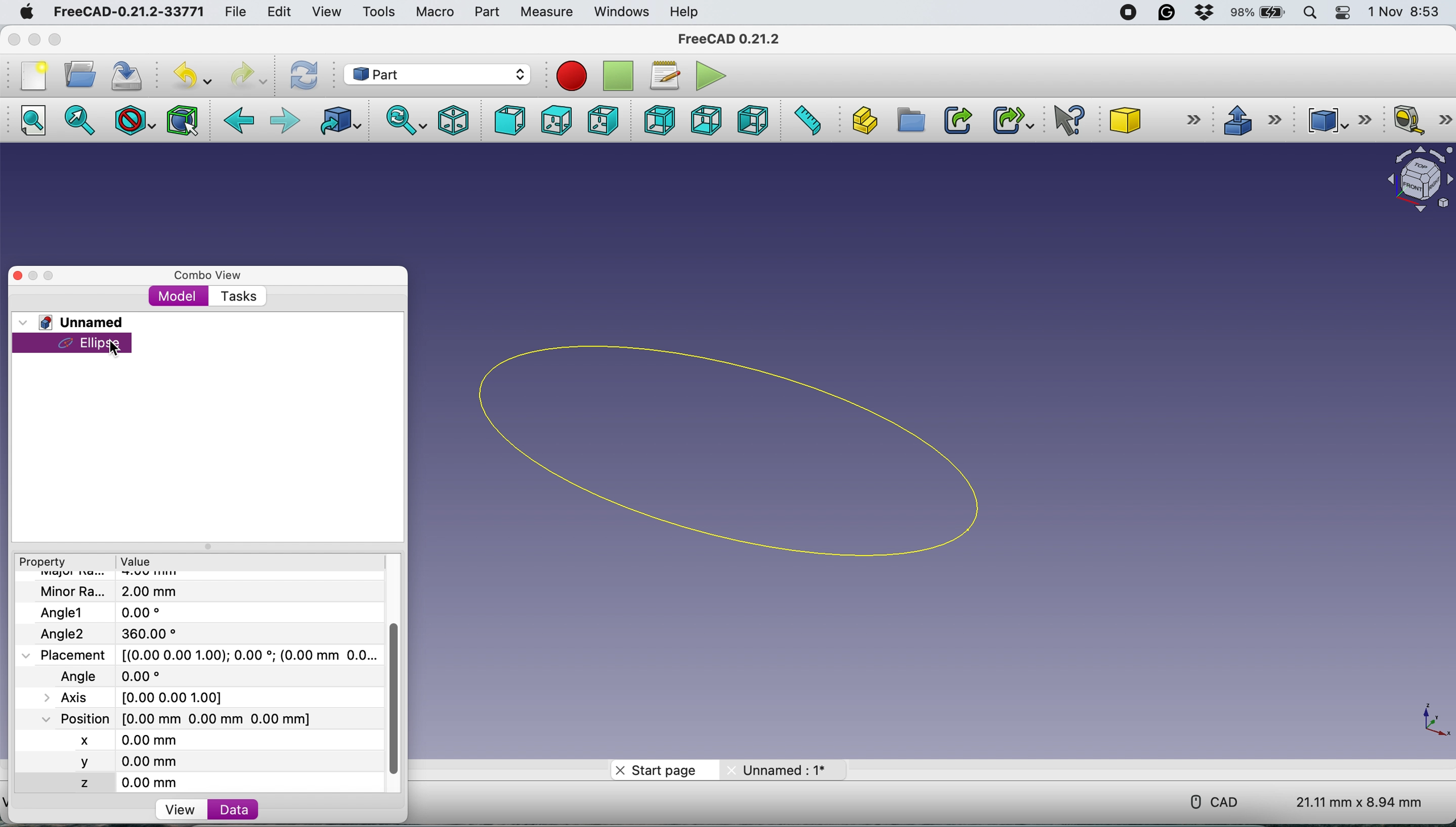 This screenshot has height=827, width=1456. Describe the element at coordinates (181, 297) in the screenshot. I see `model` at that location.